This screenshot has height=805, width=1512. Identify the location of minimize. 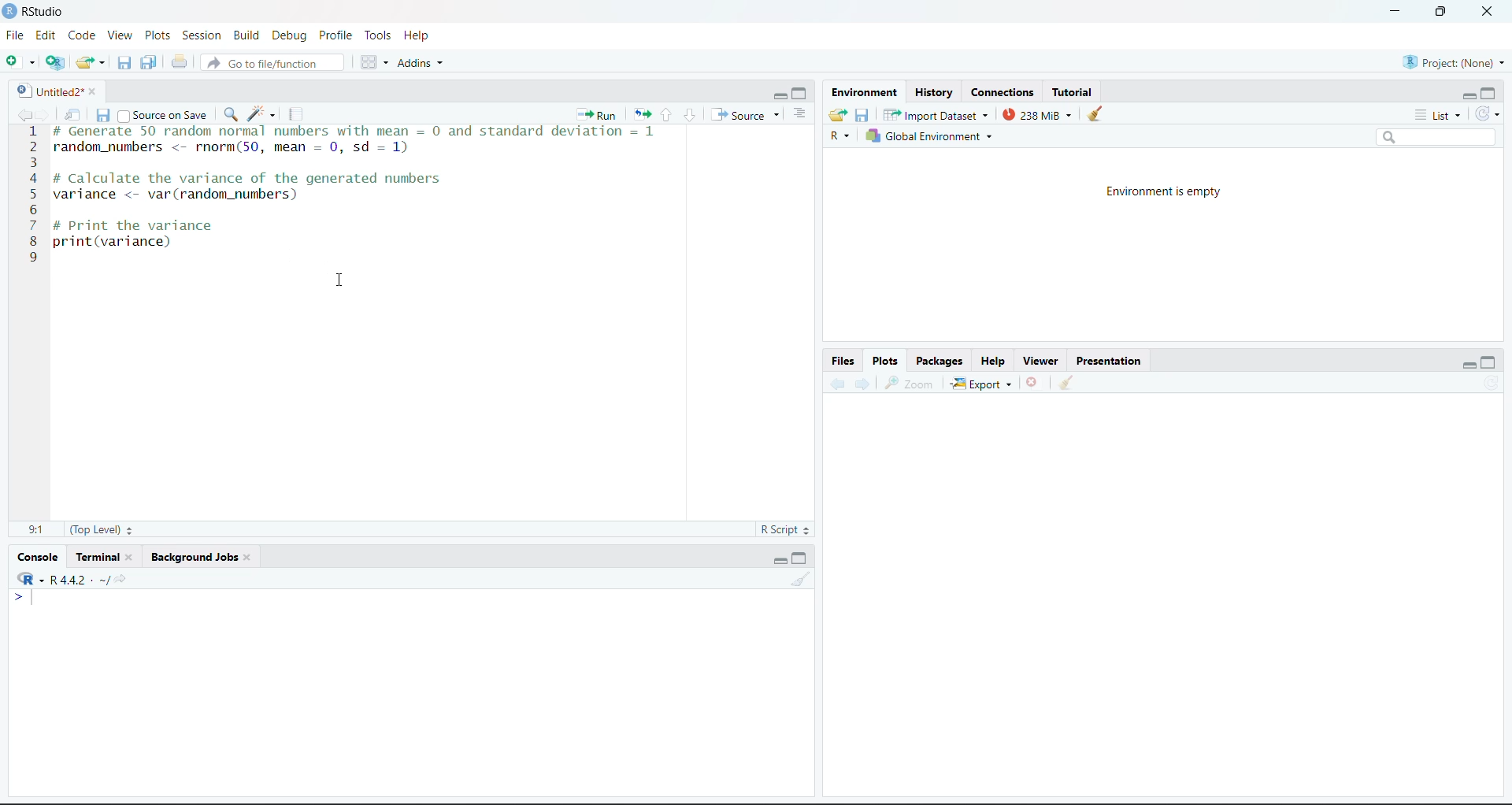
(780, 561).